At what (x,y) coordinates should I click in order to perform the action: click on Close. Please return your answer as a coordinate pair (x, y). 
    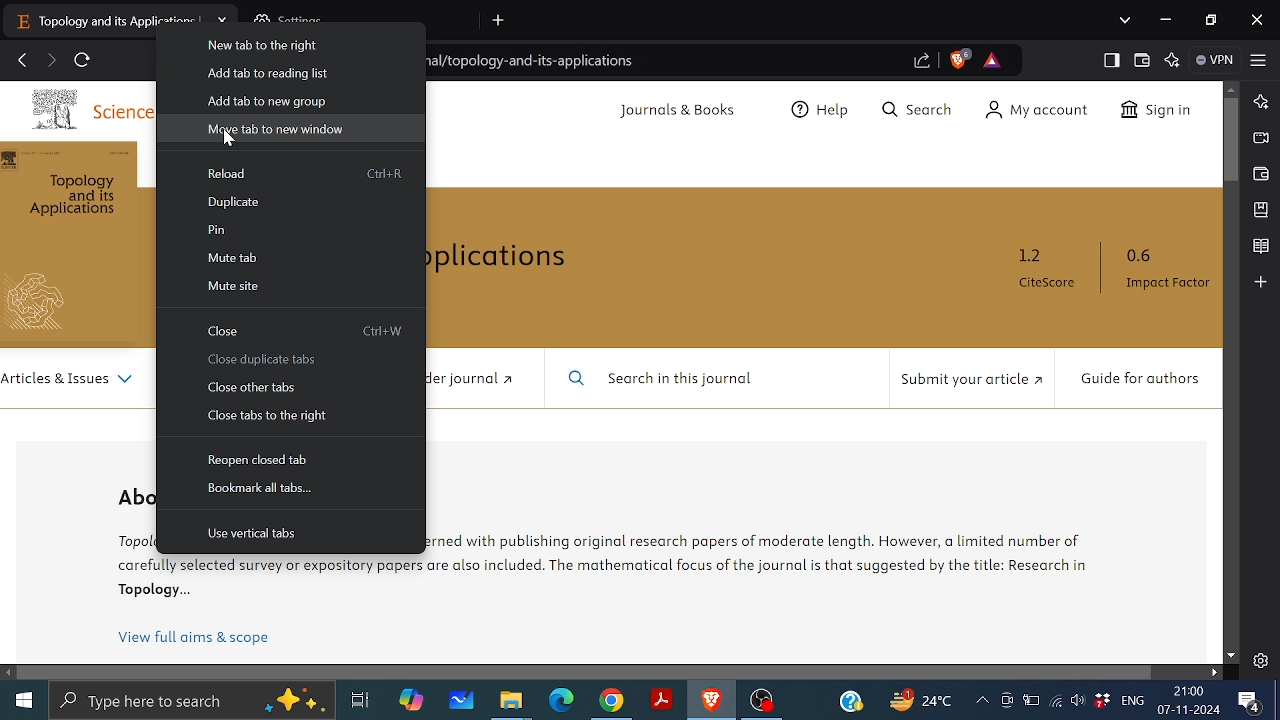
    Looking at the image, I should click on (223, 332).